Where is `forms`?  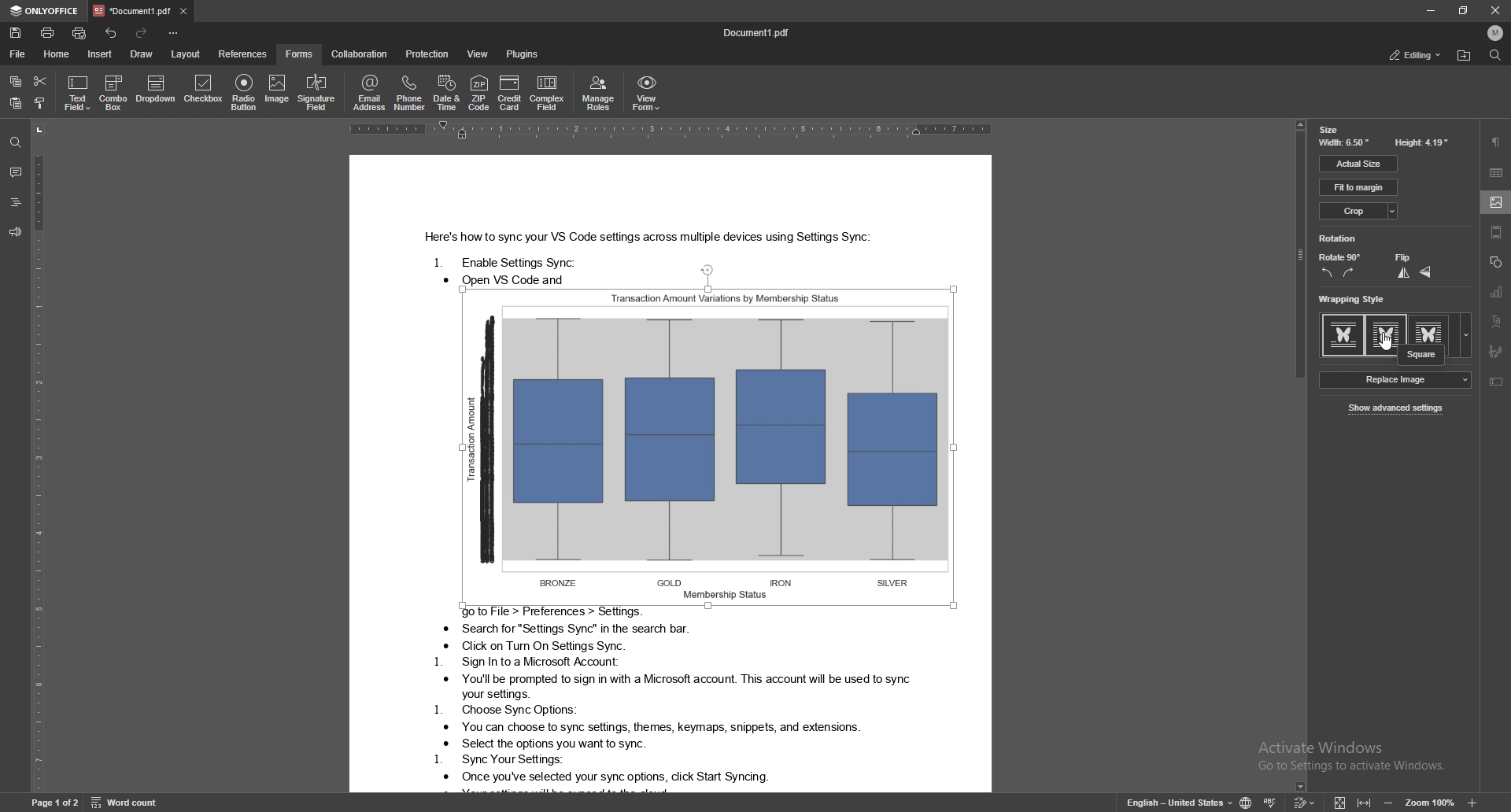 forms is located at coordinates (299, 54).